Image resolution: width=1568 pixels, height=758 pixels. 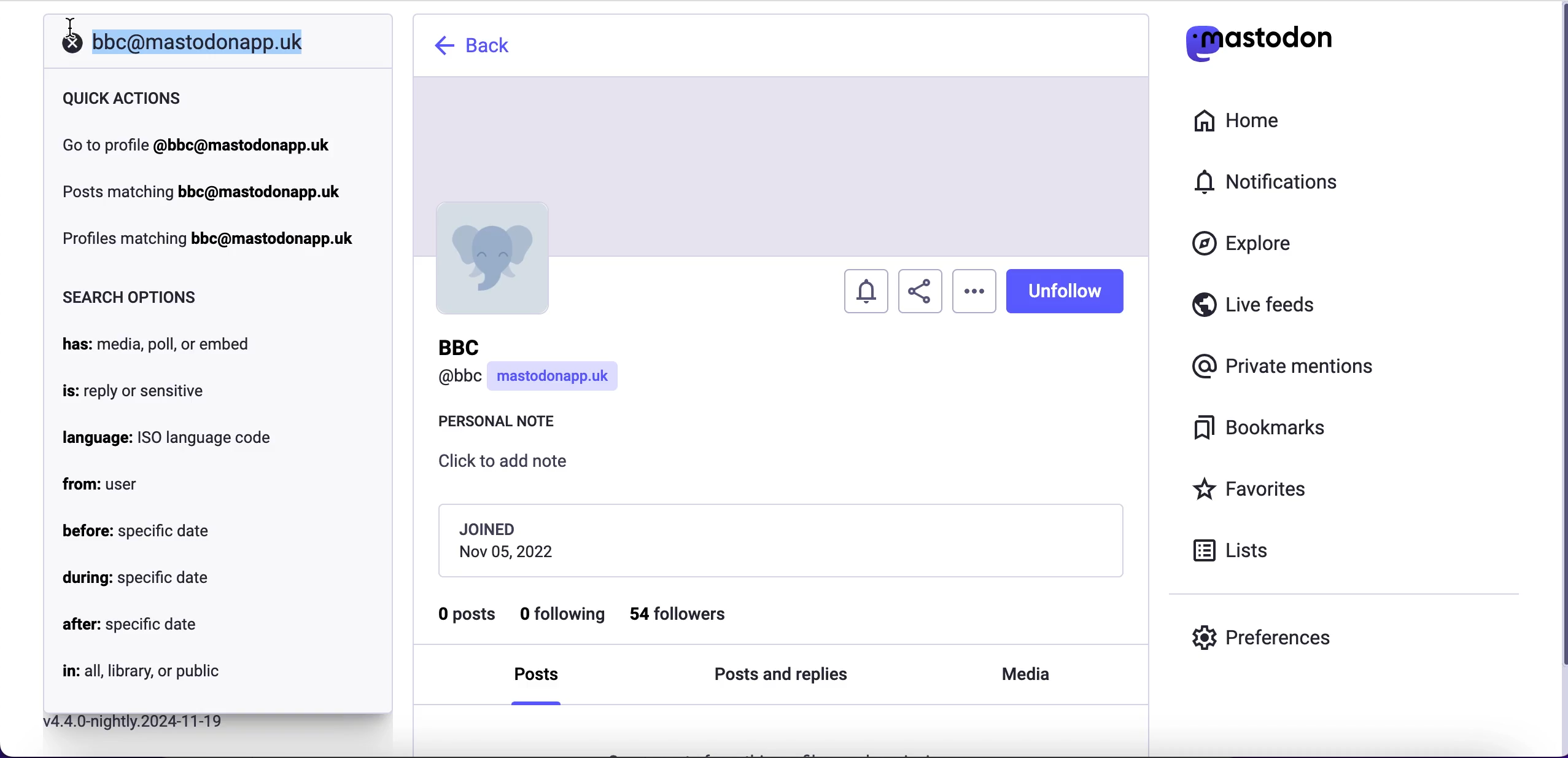 I want to click on personal note, so click(x=503, y=424).